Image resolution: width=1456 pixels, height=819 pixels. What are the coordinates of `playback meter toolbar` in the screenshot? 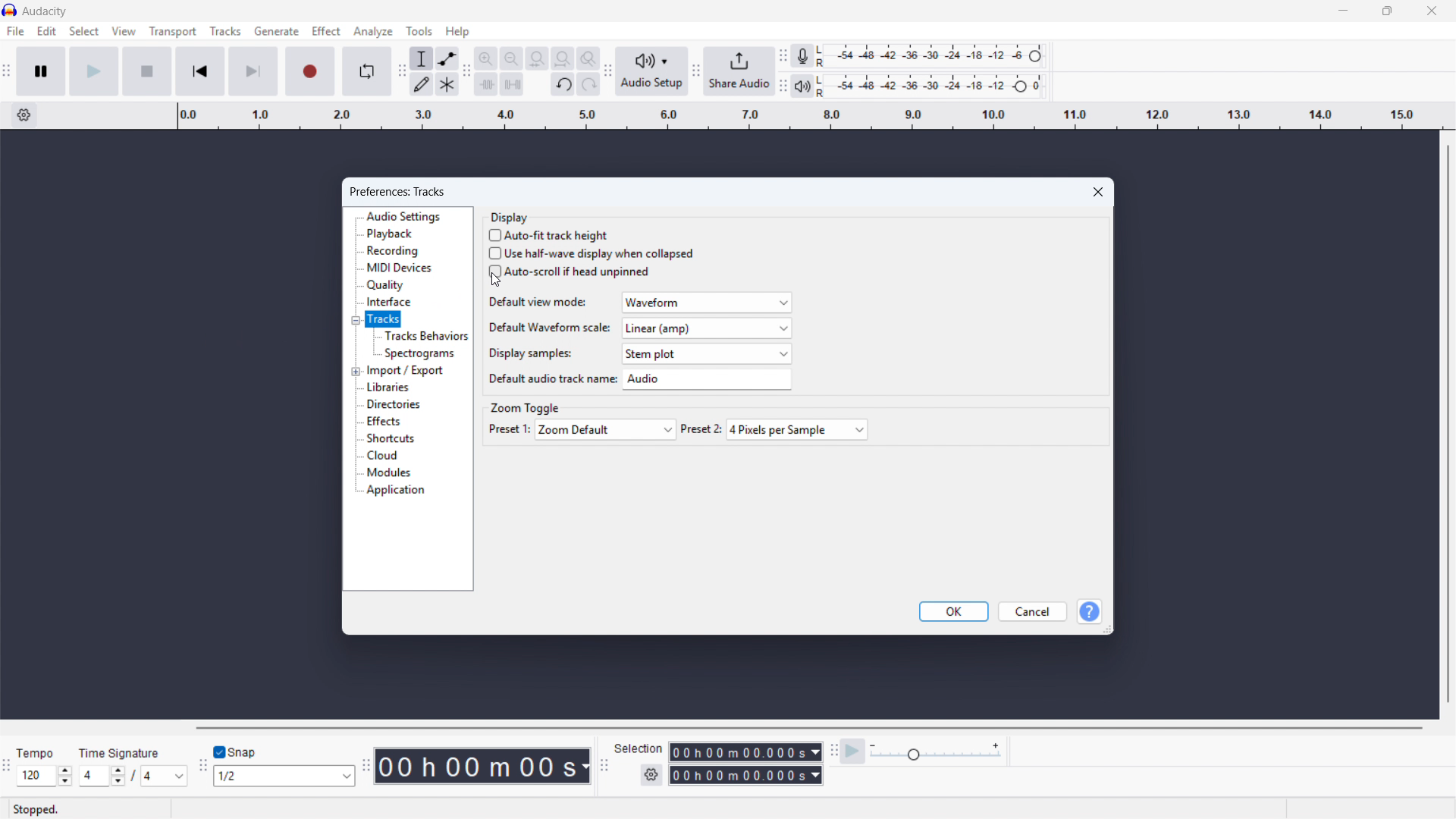 It's located at (783, 86).